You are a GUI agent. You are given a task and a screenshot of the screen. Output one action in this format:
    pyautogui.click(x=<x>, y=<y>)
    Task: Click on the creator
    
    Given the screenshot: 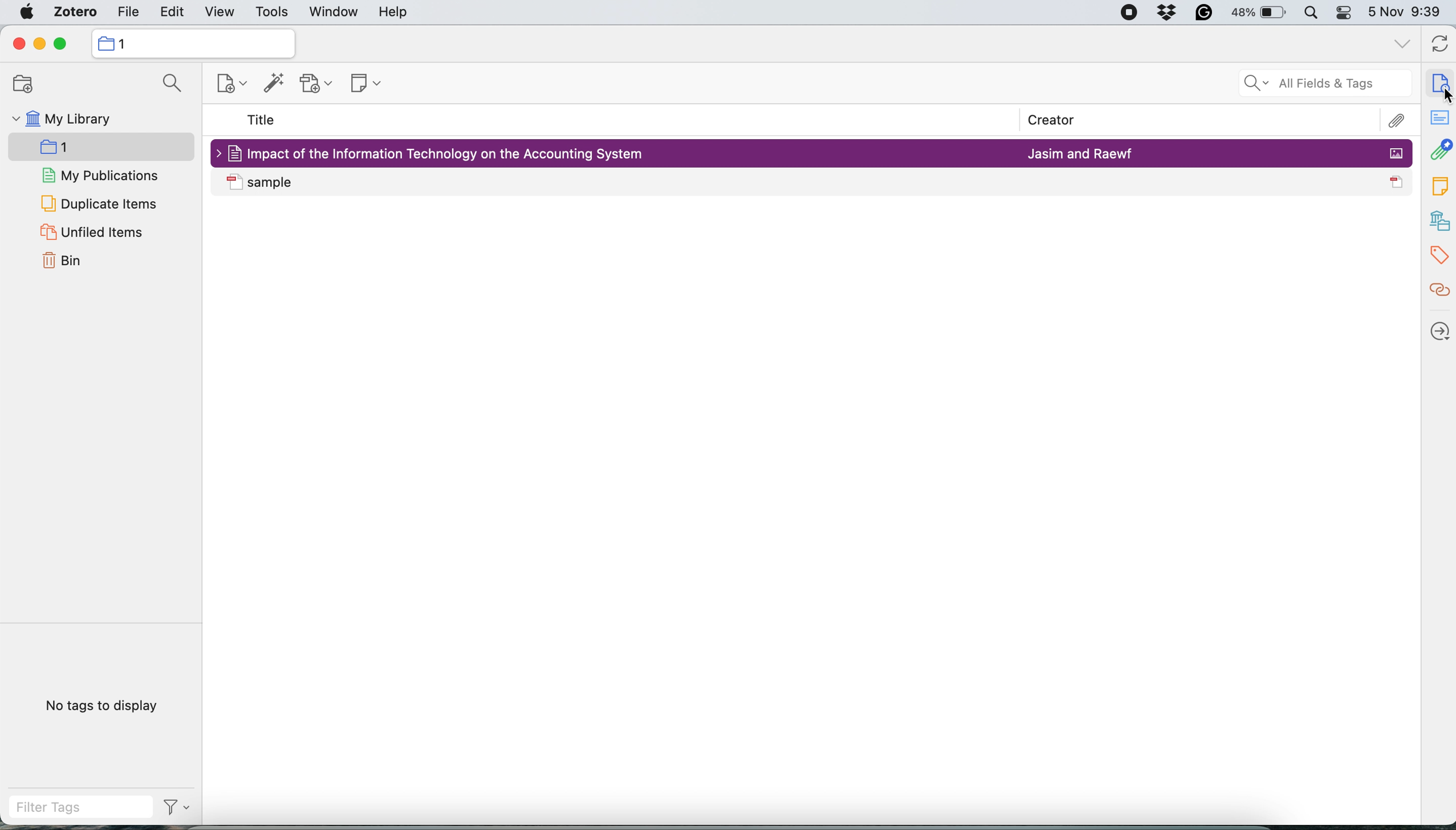 What is the action you would take?
    pyautogui.click(x=1054, y=119)
    